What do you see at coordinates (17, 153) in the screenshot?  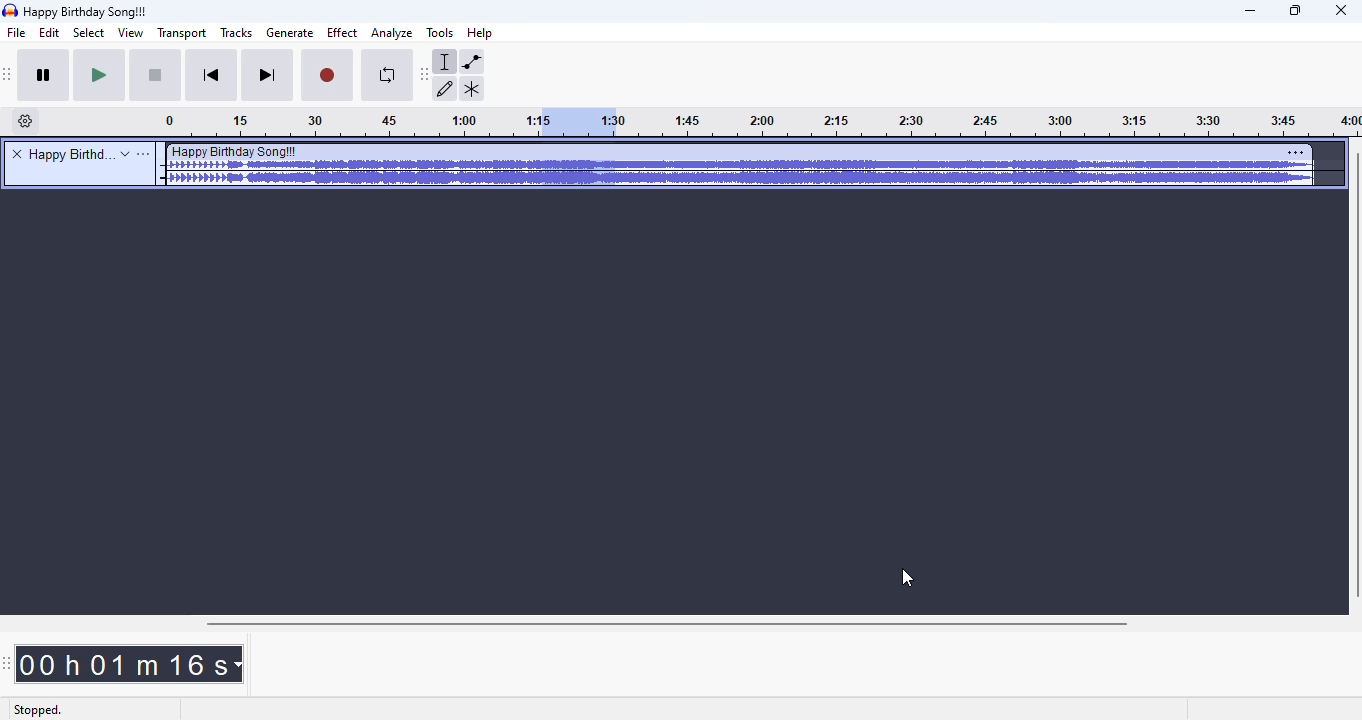 I see `delete track` at bounding box center [17, 153].